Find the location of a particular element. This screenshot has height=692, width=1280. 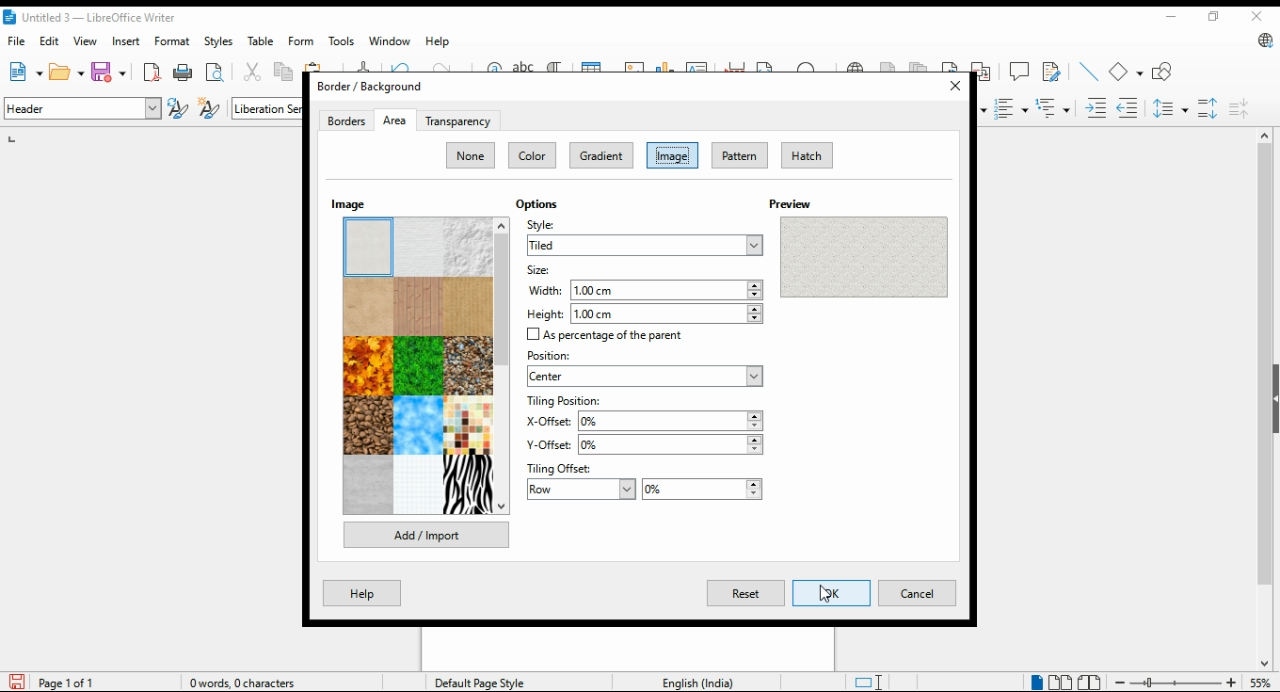

tiling offset is located at coordinates (560, 468).